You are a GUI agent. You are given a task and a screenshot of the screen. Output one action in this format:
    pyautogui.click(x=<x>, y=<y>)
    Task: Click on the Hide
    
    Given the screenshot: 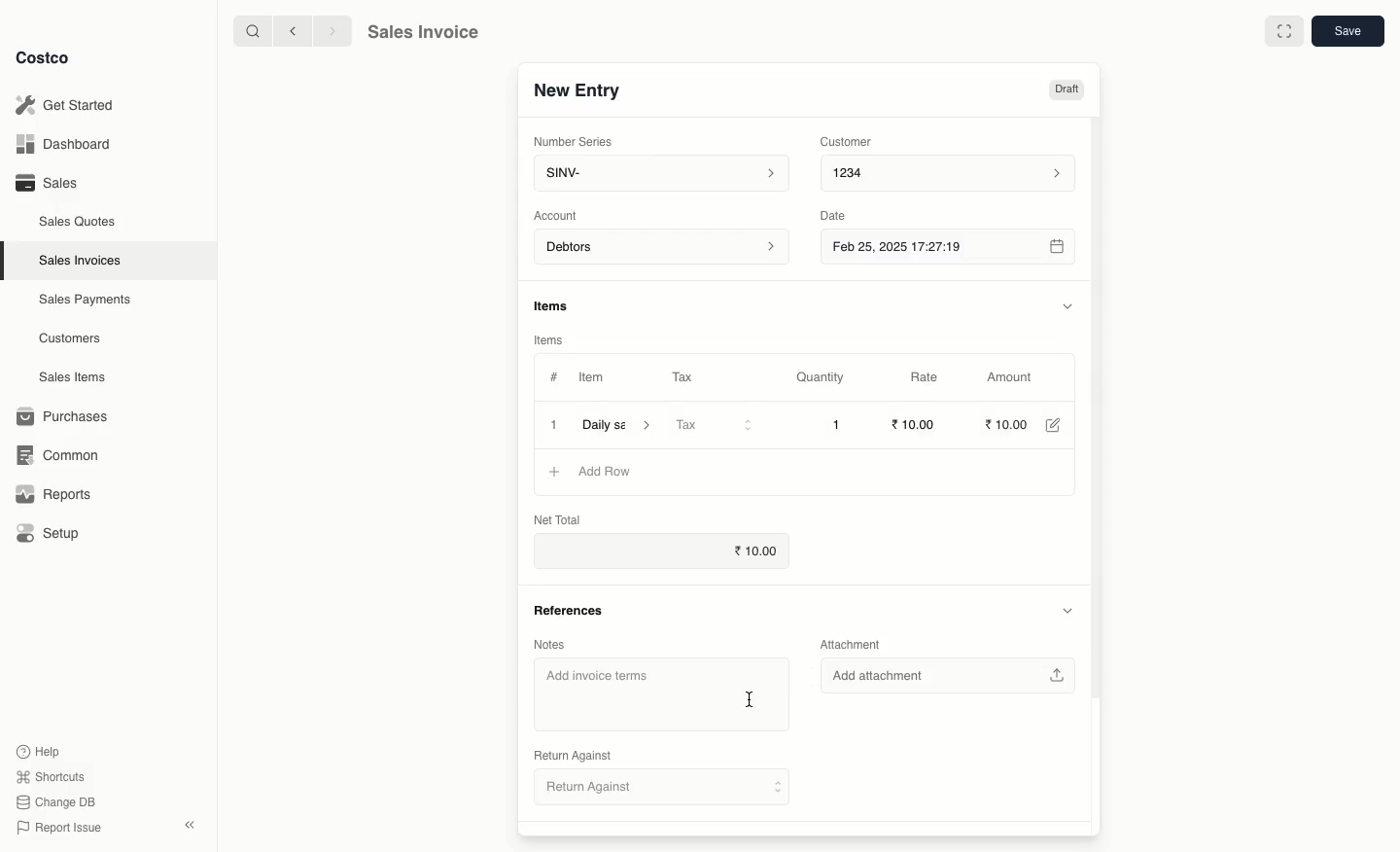 What is the action you would take?
    pyautogui.click(x=1067, y=610)
    